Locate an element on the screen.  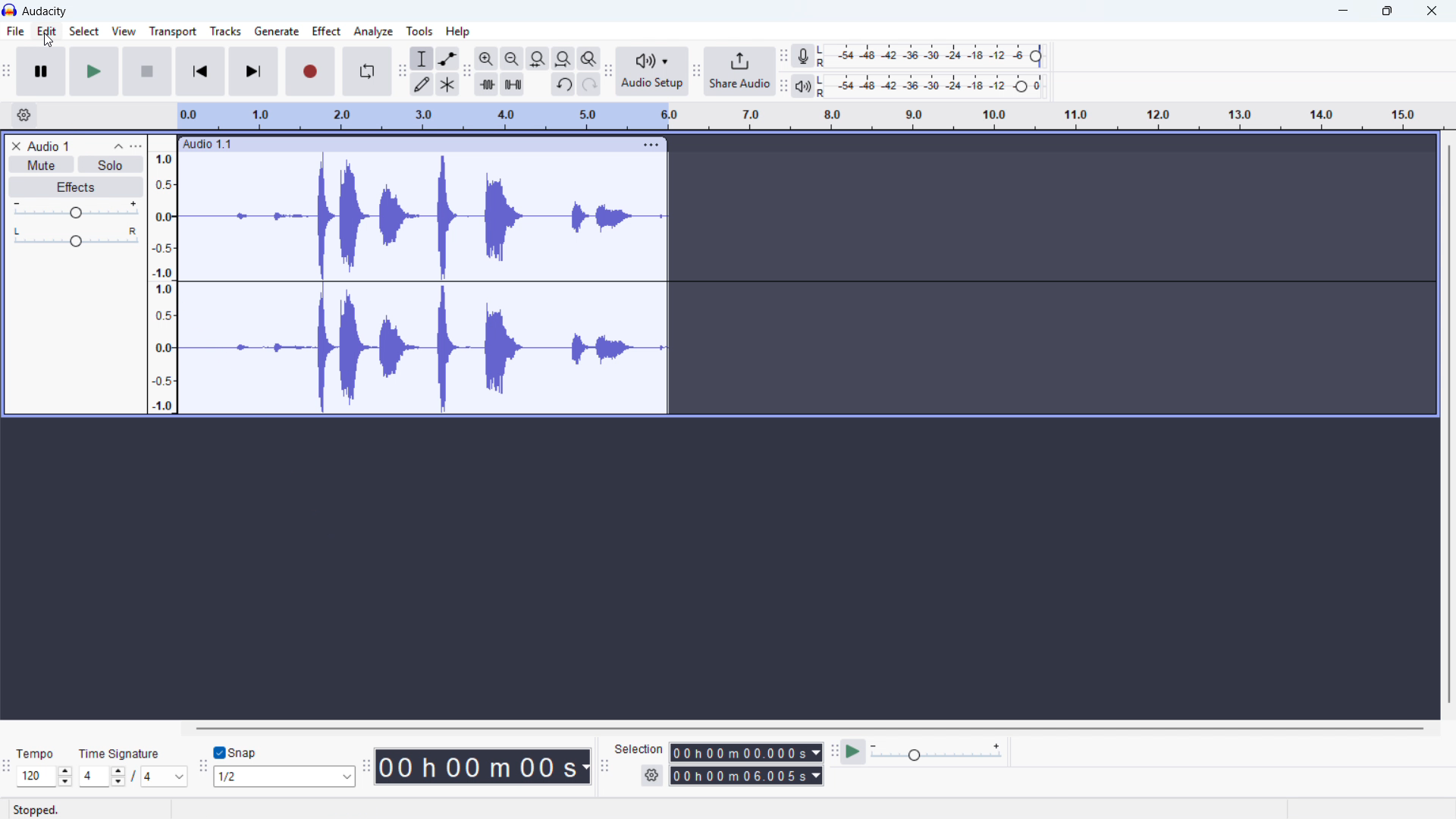
cursor is located at coordinates (49, 41).